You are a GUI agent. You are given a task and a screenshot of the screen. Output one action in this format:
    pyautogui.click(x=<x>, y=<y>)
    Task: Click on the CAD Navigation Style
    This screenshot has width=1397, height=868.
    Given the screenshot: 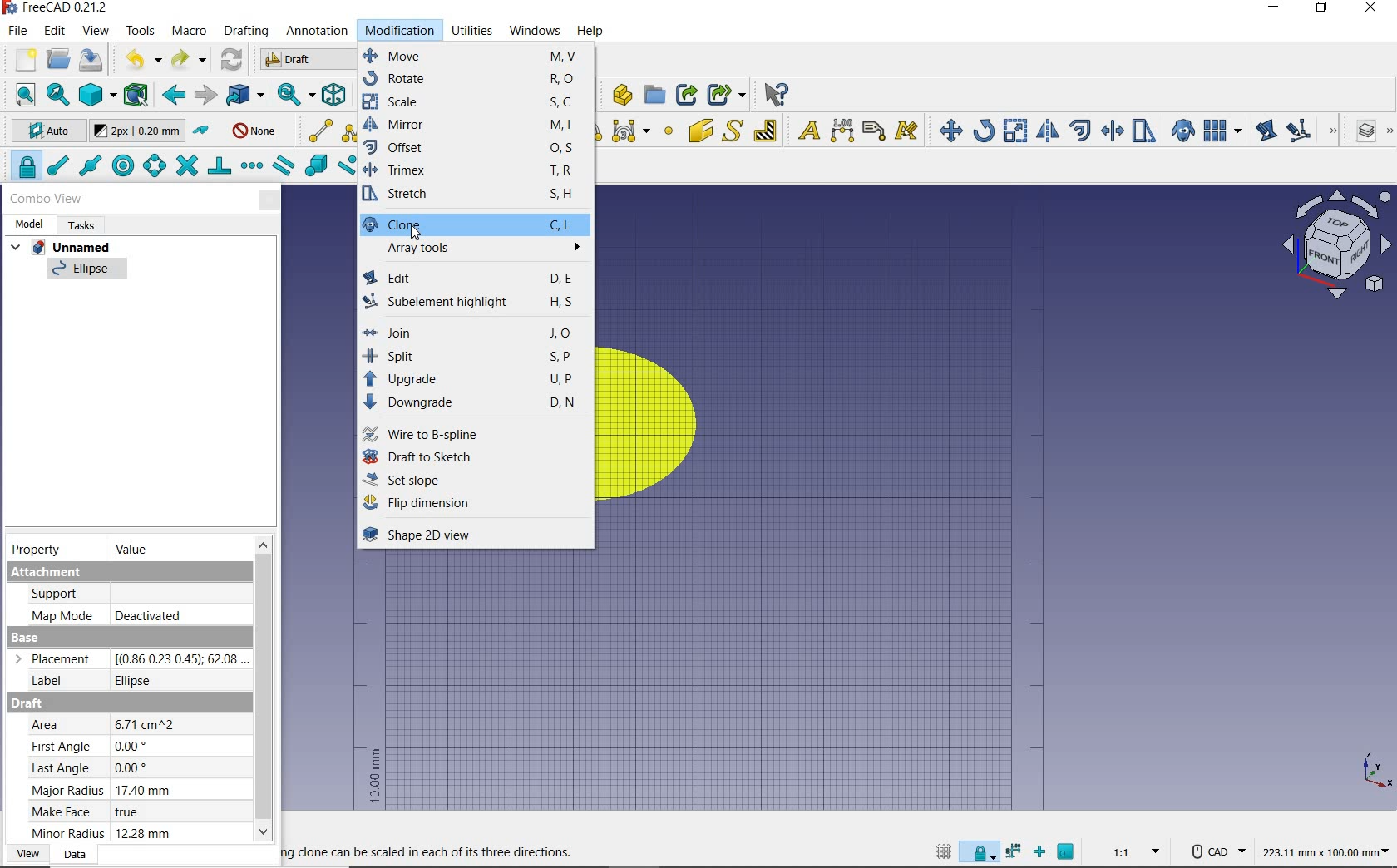 What is the action you would take?
    pyautogui.click(x=1212, y=852)
    